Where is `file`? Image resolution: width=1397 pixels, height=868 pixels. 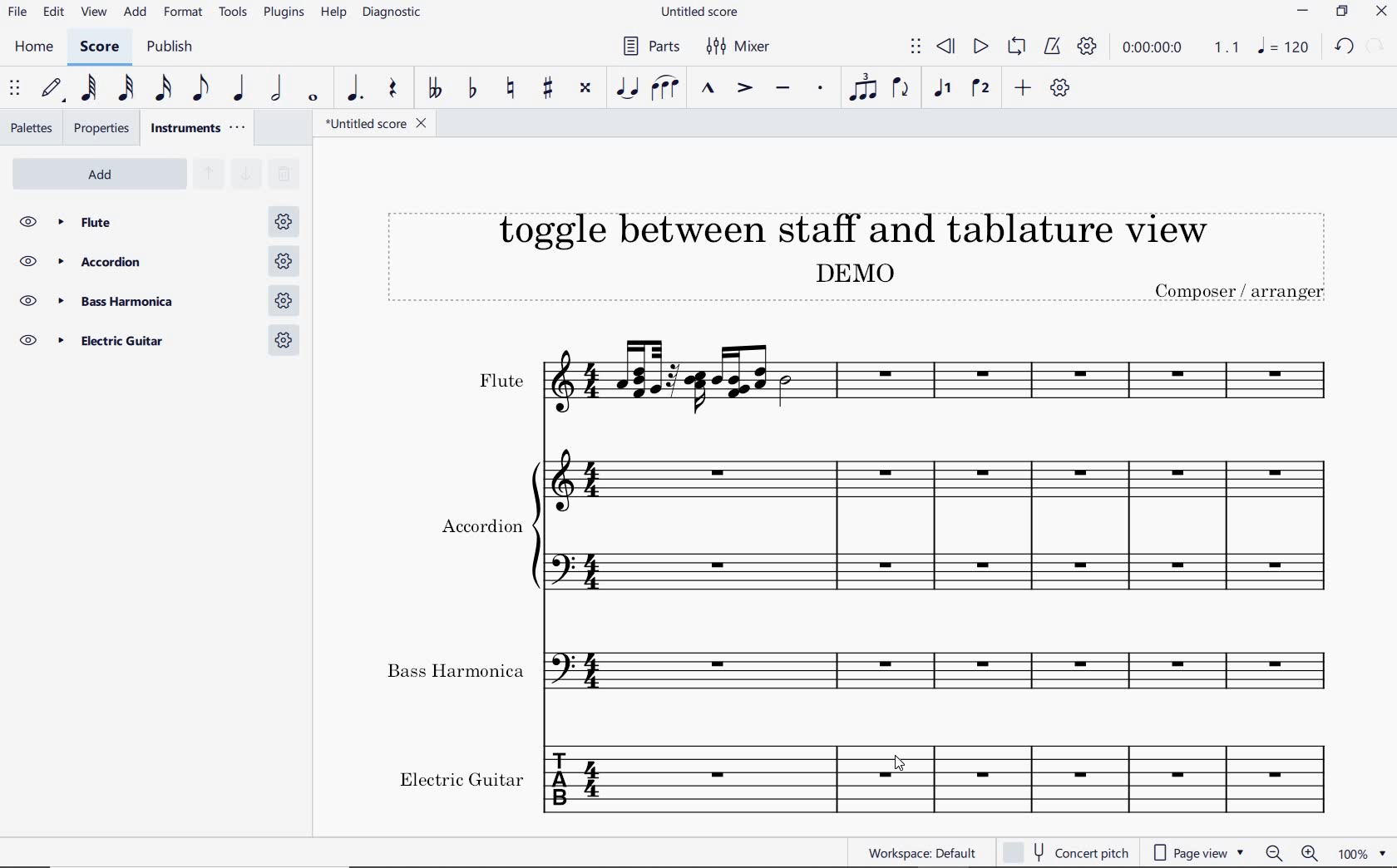 file is located at coordinates (17, 14).